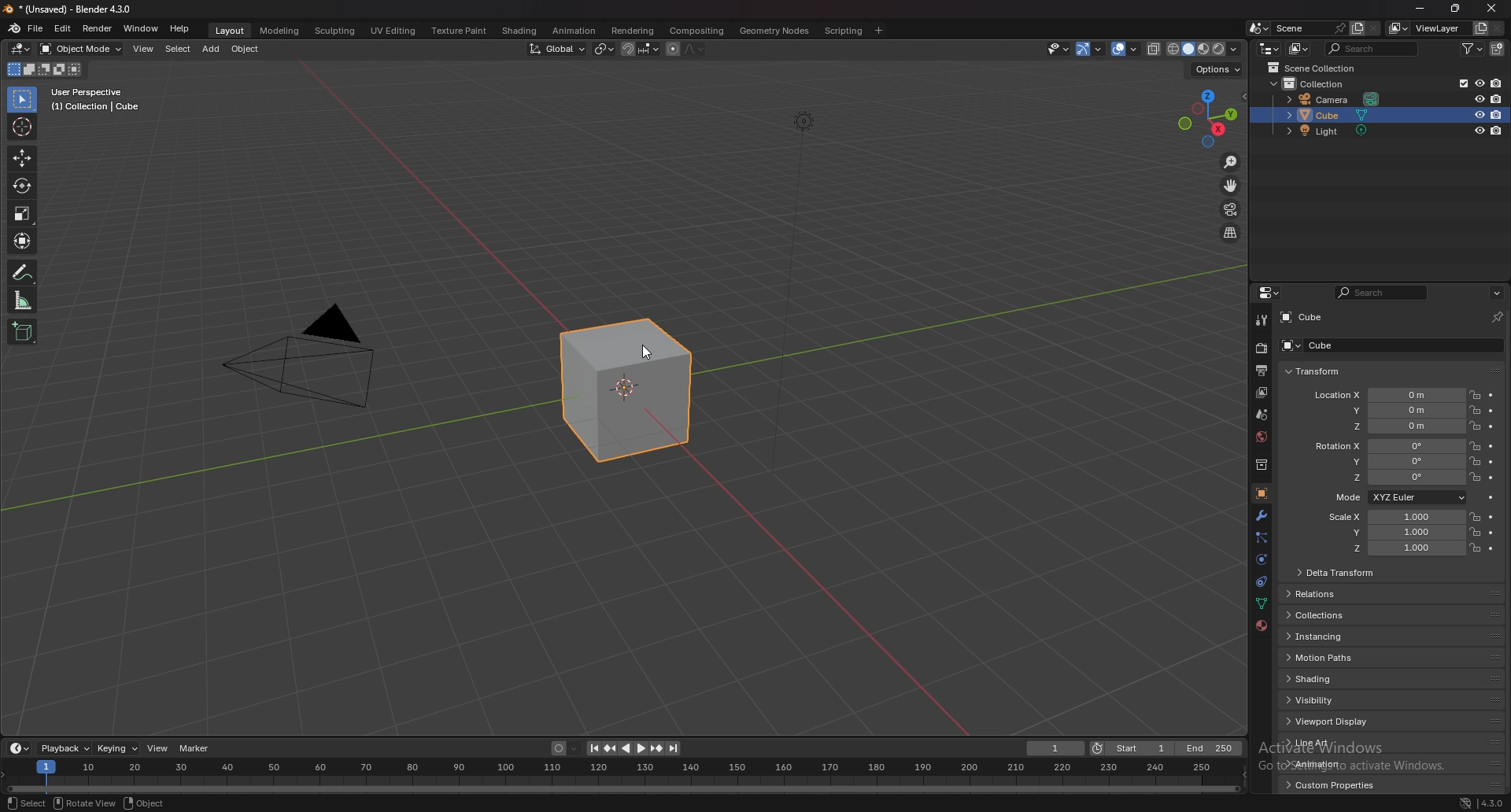 This screenshot has width=1511, height=812. What do you see at coordinates (1500, 114) in the screenshot?
I see `disable in render` at bounding box center [1500, 114].